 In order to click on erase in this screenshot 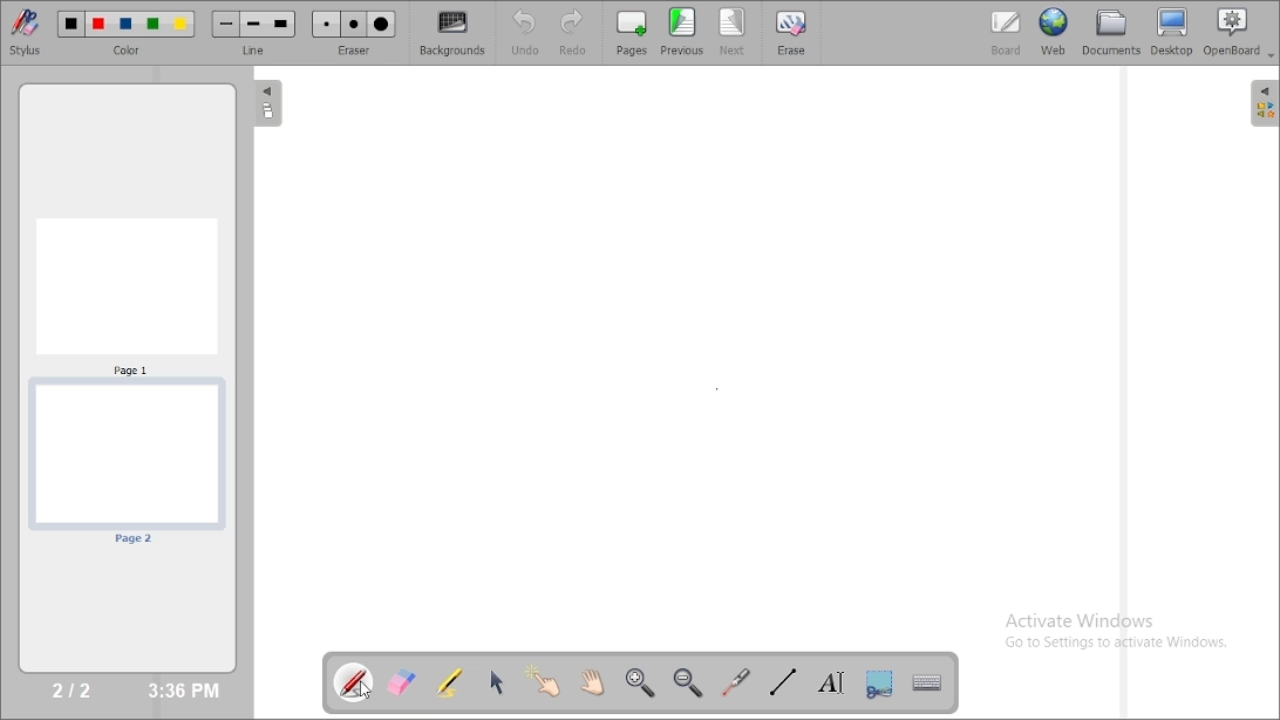, I will do `click(790, 32)`.